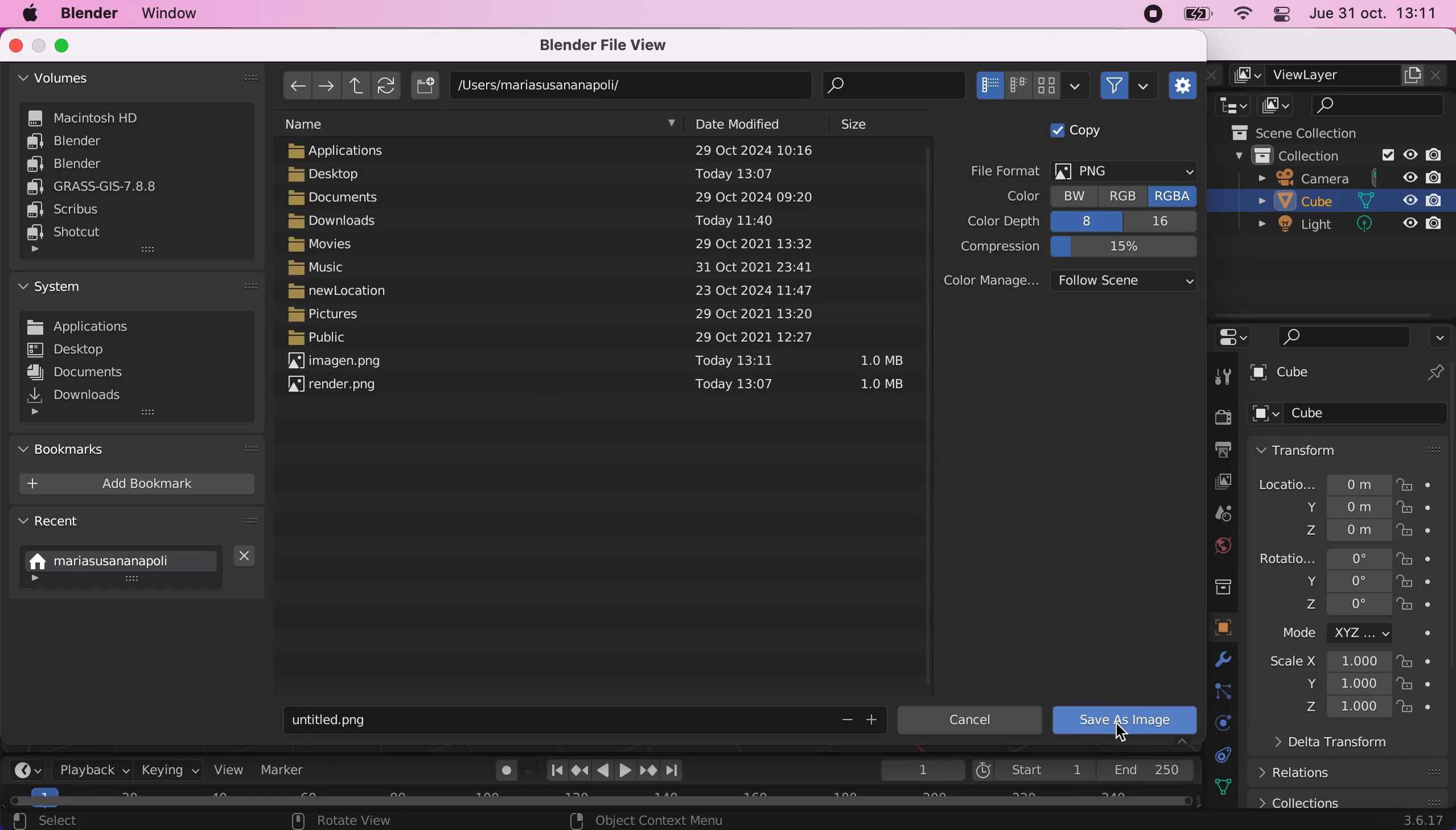  I want to click on constraints, so click(1225, 693).